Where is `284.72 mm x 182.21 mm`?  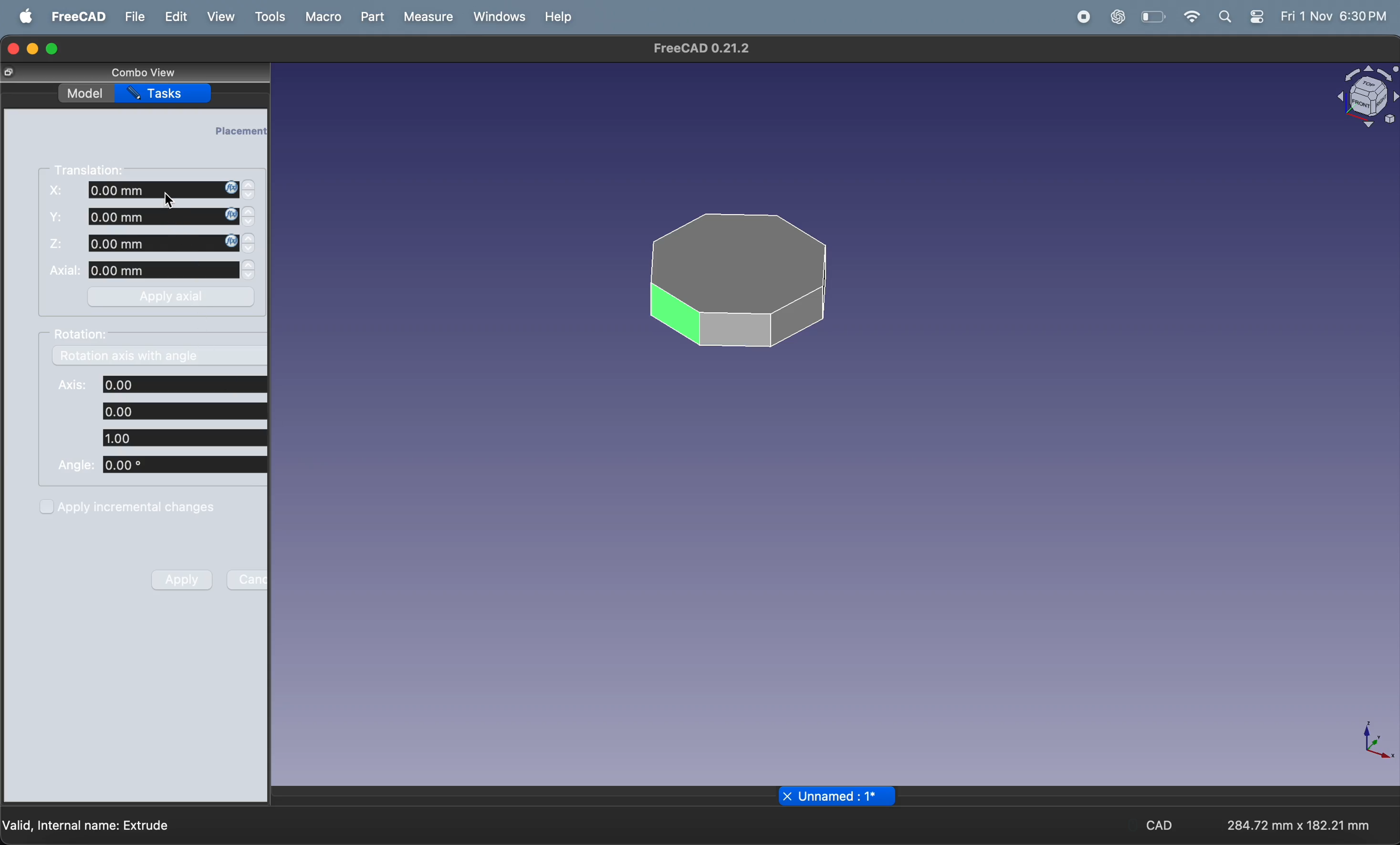
284.72 mm x 182.21 mm is located at coordinates (1294, 823).